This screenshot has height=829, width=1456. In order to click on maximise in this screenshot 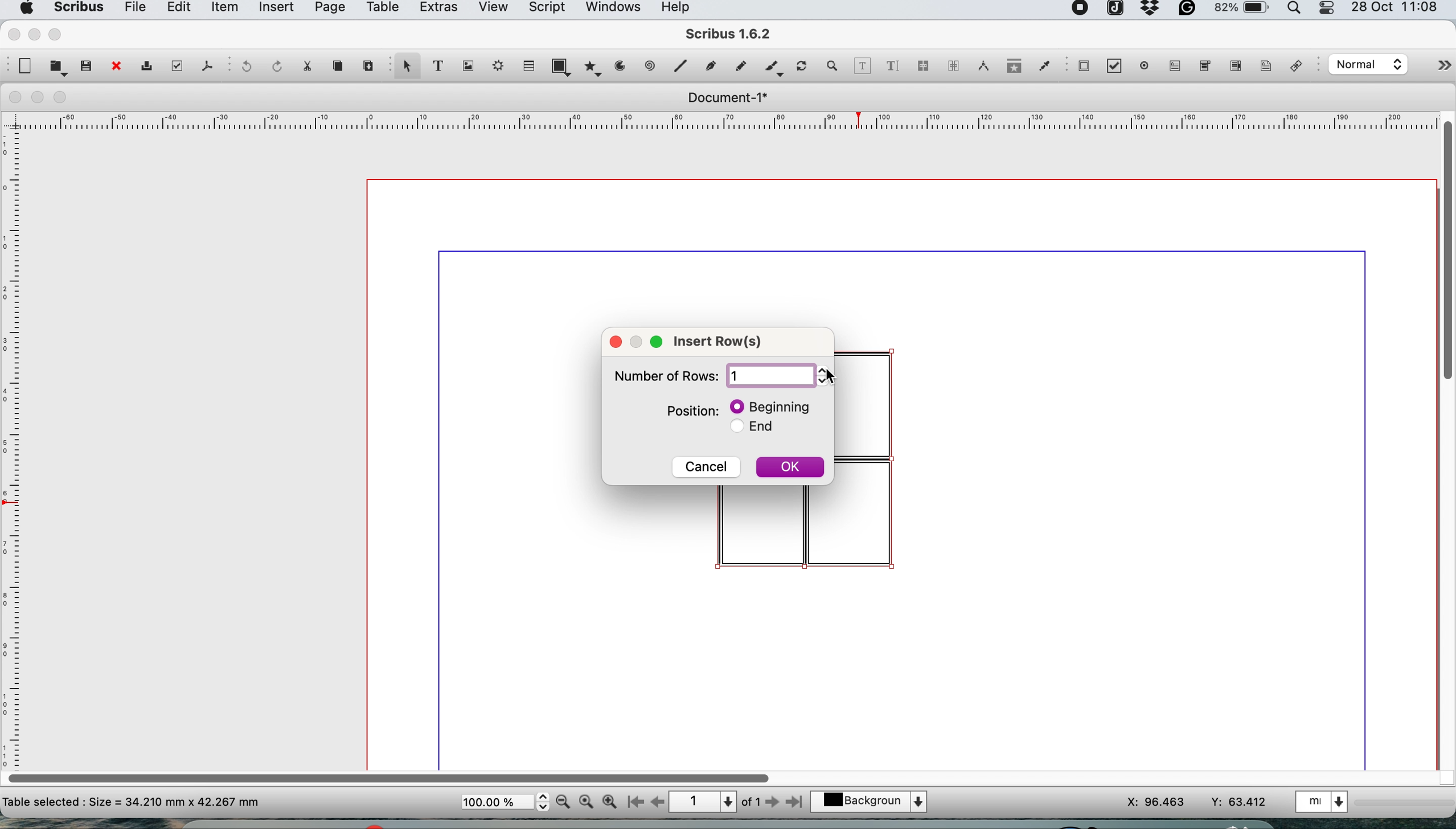, I will do `click(64, 98)`.